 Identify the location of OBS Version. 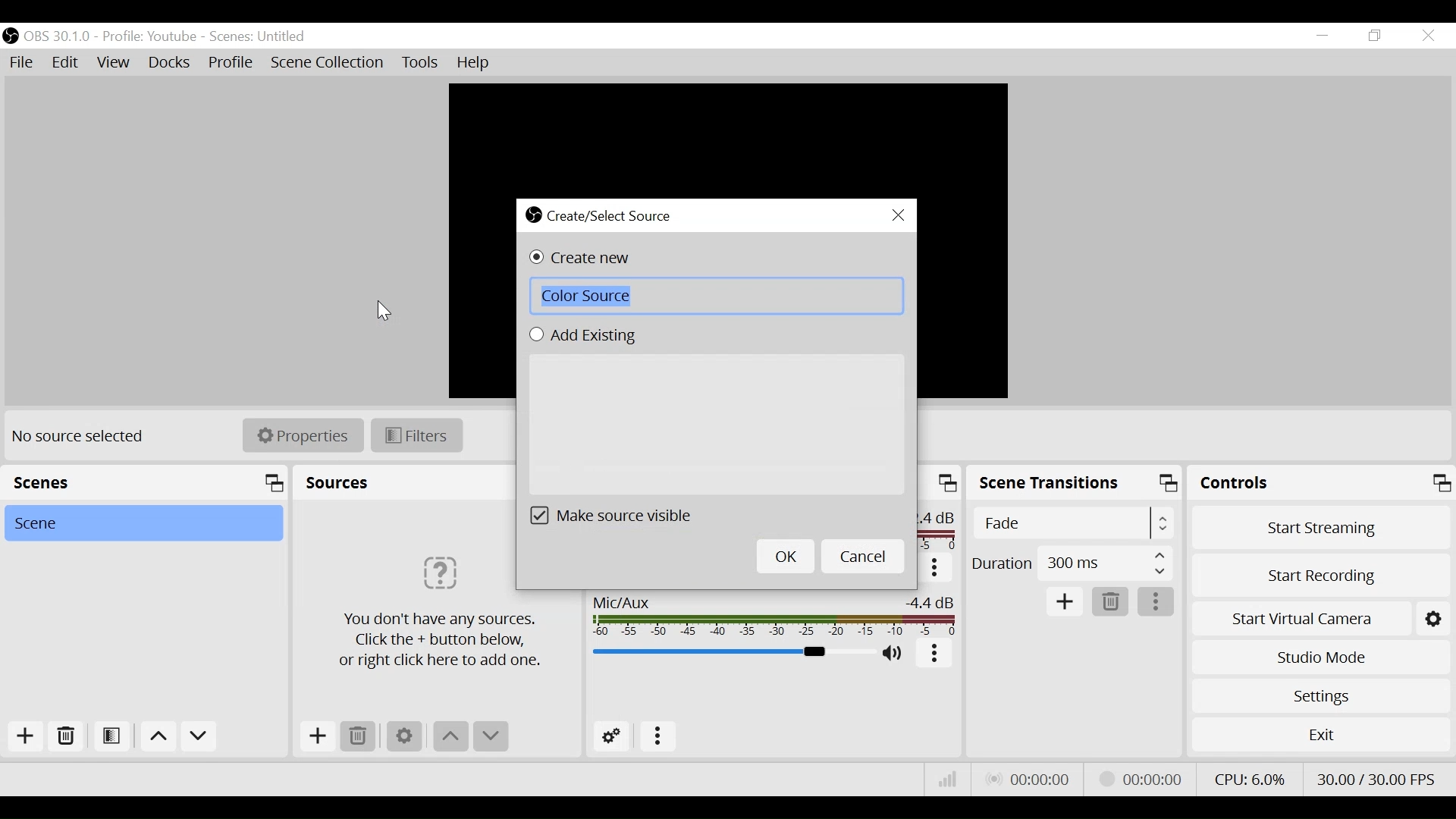
(58, 36).